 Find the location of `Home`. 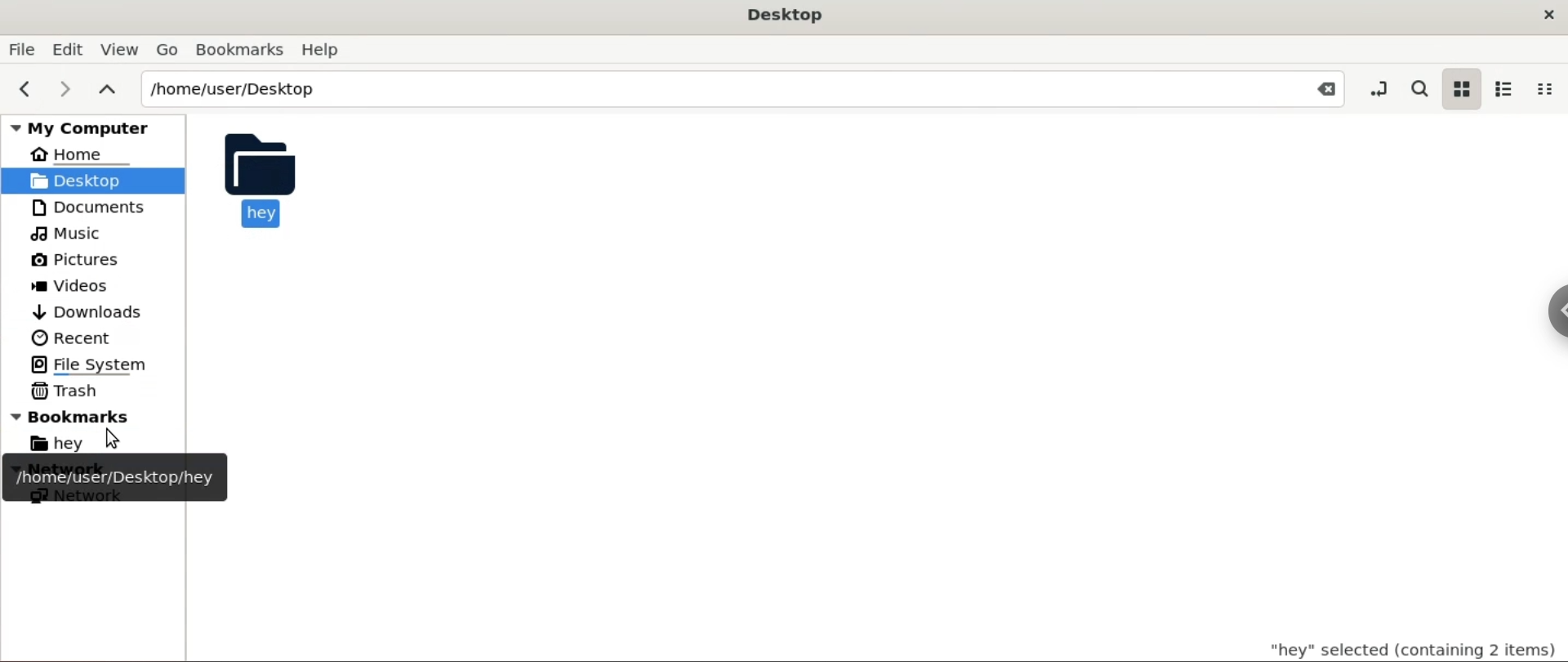

Home is located at coordinates (76, 157).